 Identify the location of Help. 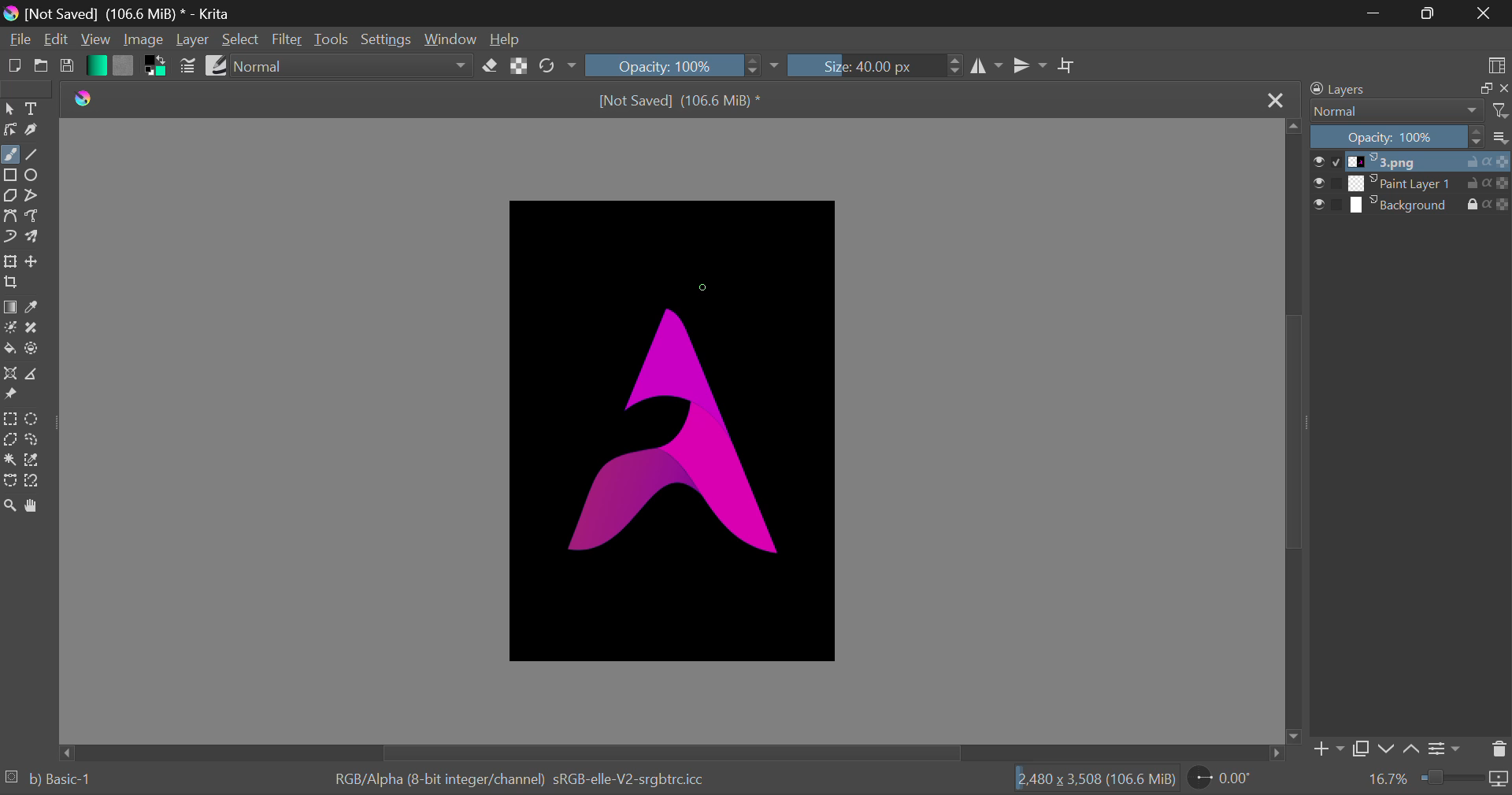
(505, 39).